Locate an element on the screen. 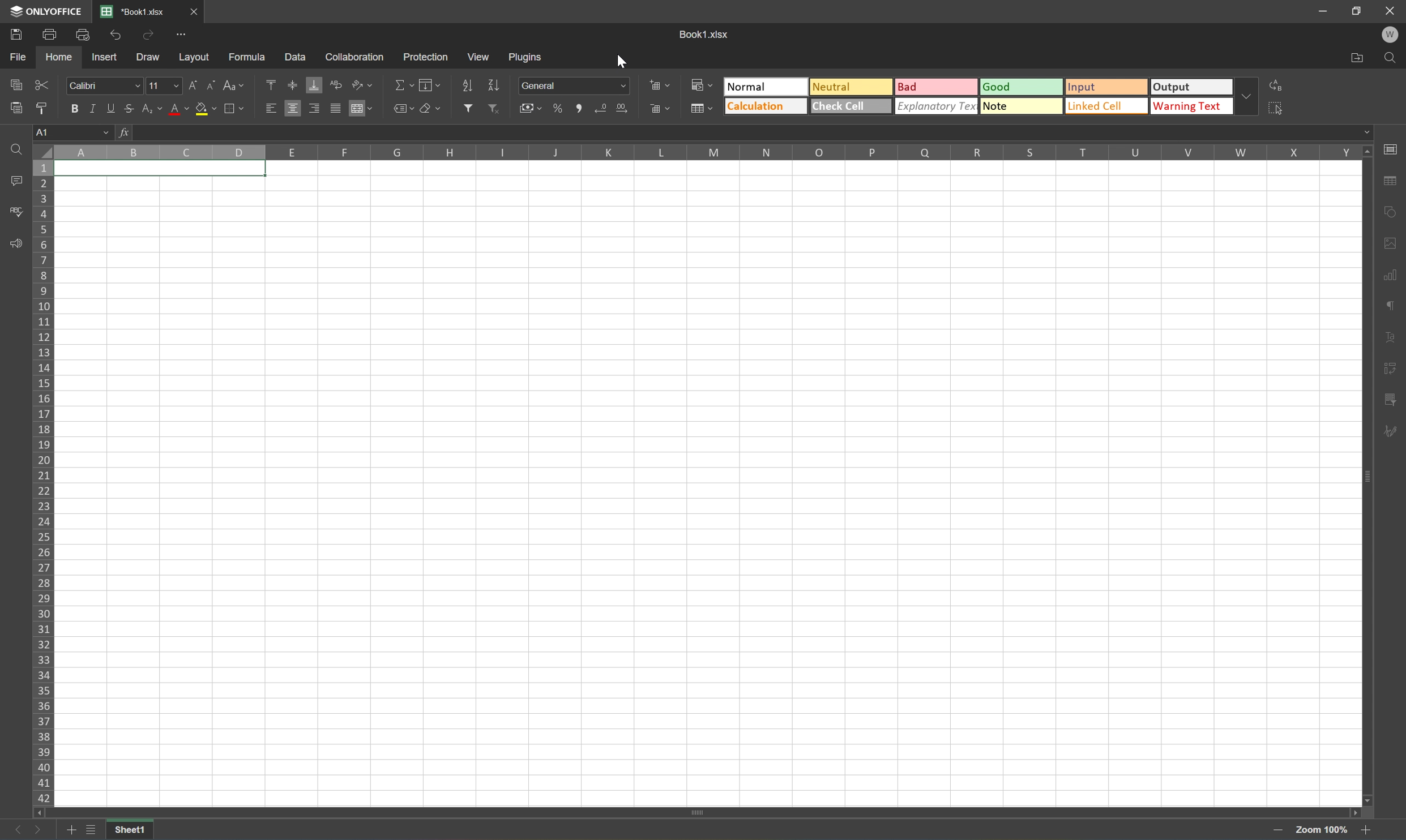 This screenshot has height=840, width=1406. Scroll down is located at coordinates (1369, 800).